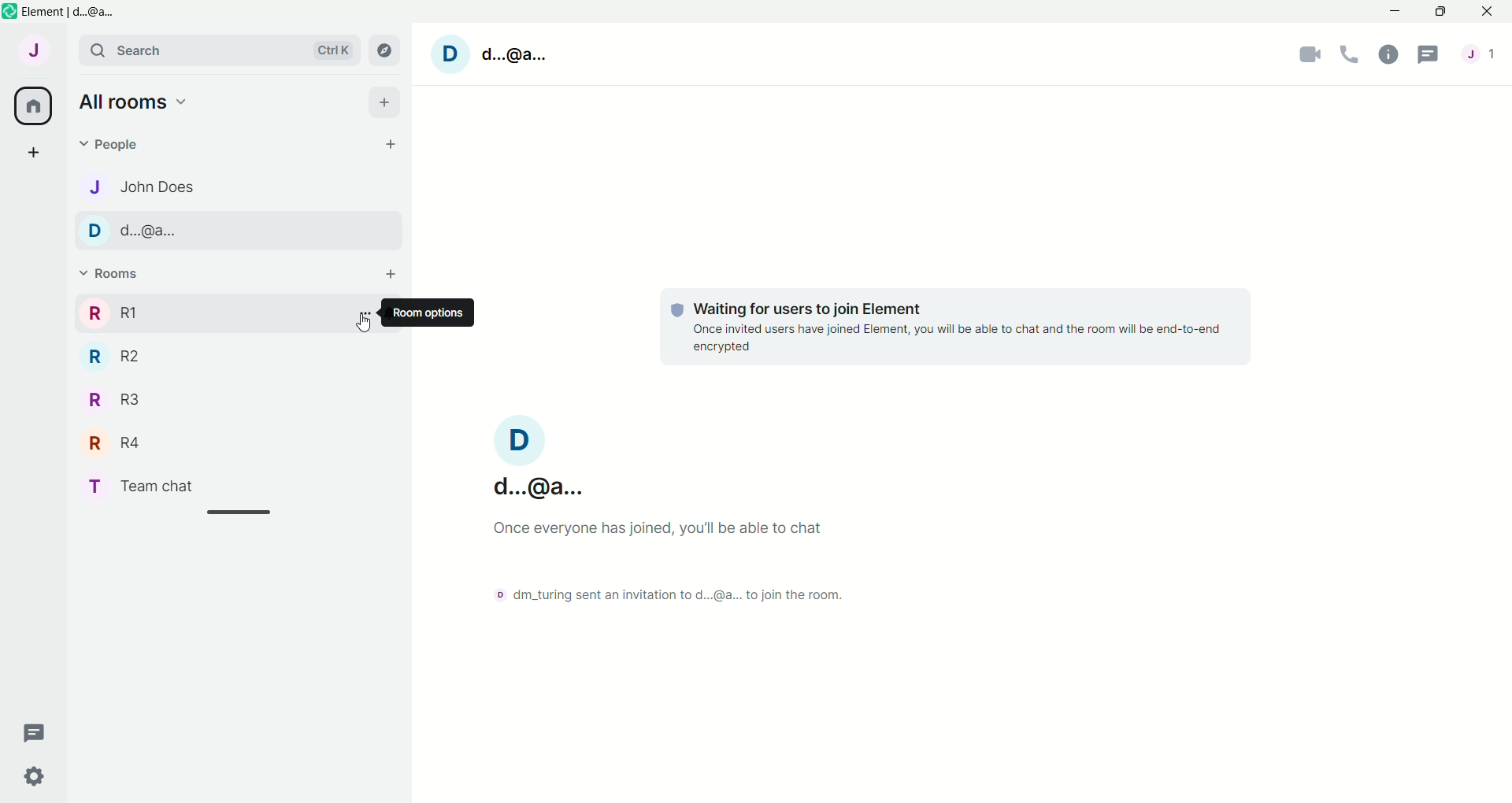 This screenshot has width=1512, height=803. I want to click on Add Rooms, so click(395, 276).